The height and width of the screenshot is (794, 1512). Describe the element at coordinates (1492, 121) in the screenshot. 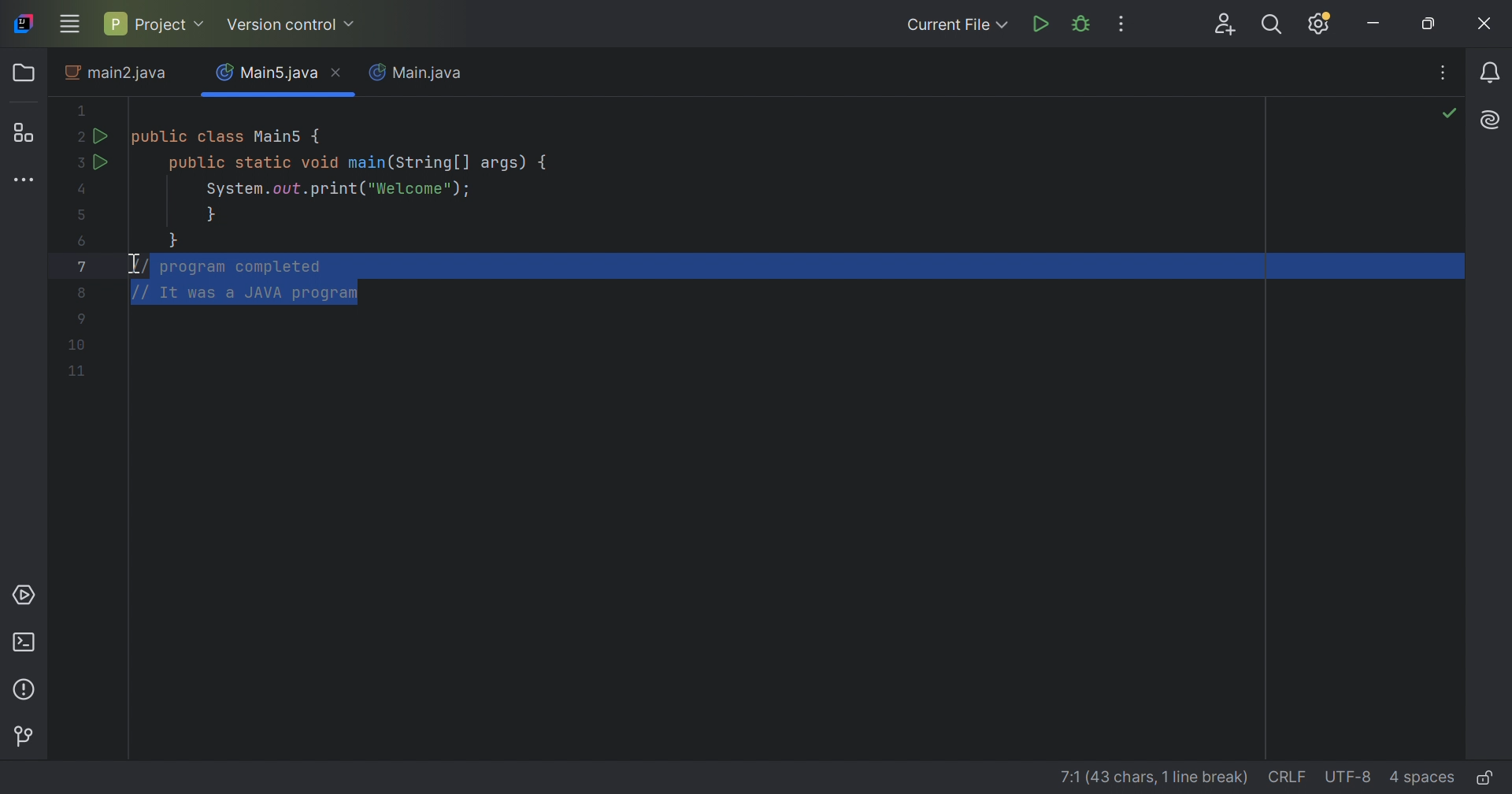

I see `AI Assistant` at that location.